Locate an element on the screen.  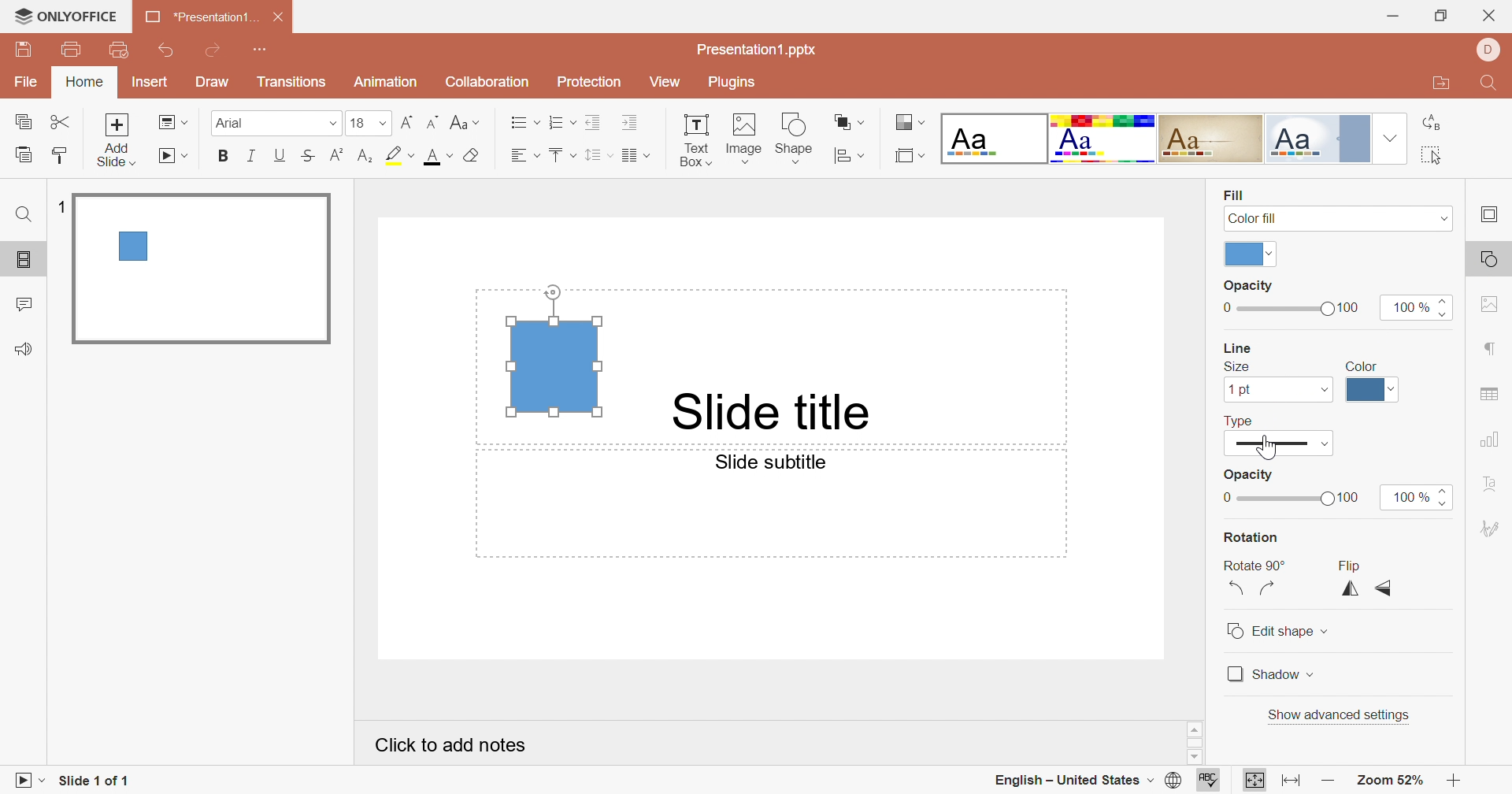
Save is located at coordinates (24, 51).